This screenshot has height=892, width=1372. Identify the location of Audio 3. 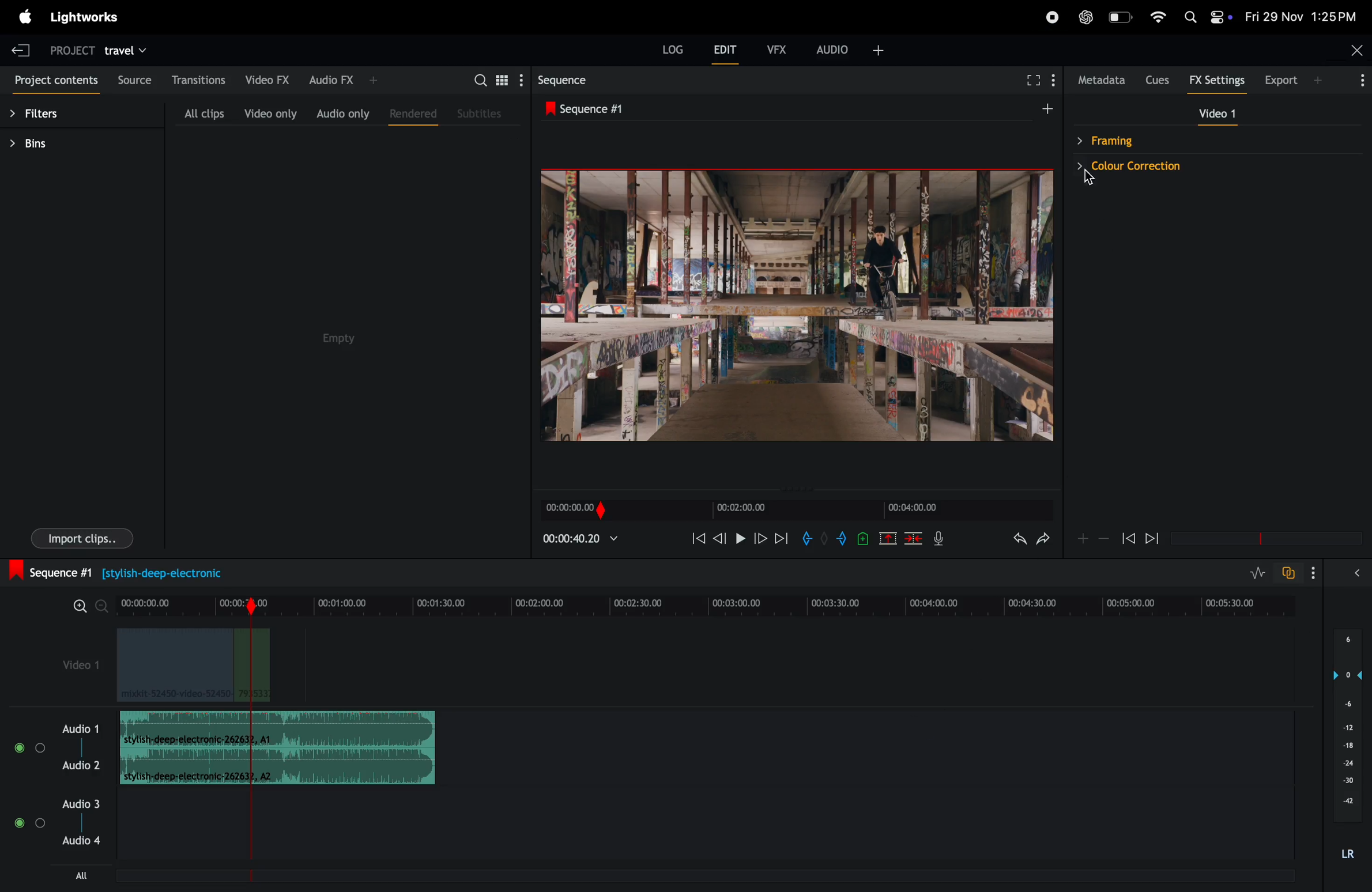
(83, 803).